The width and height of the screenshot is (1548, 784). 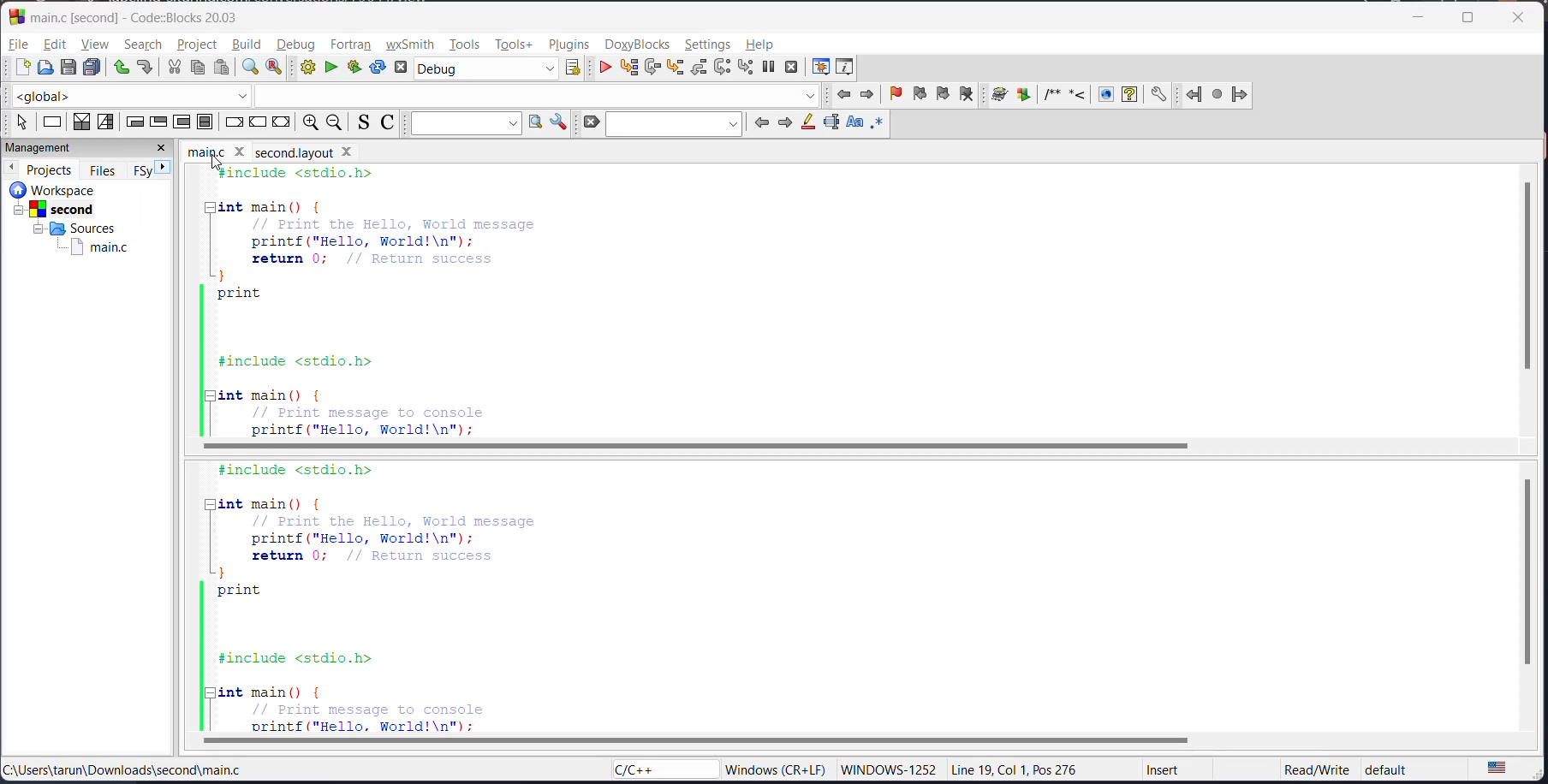 What do you see at coordinates (217, 167) in the screenshot?
I see `cursor` at bounding box center [217, 167].